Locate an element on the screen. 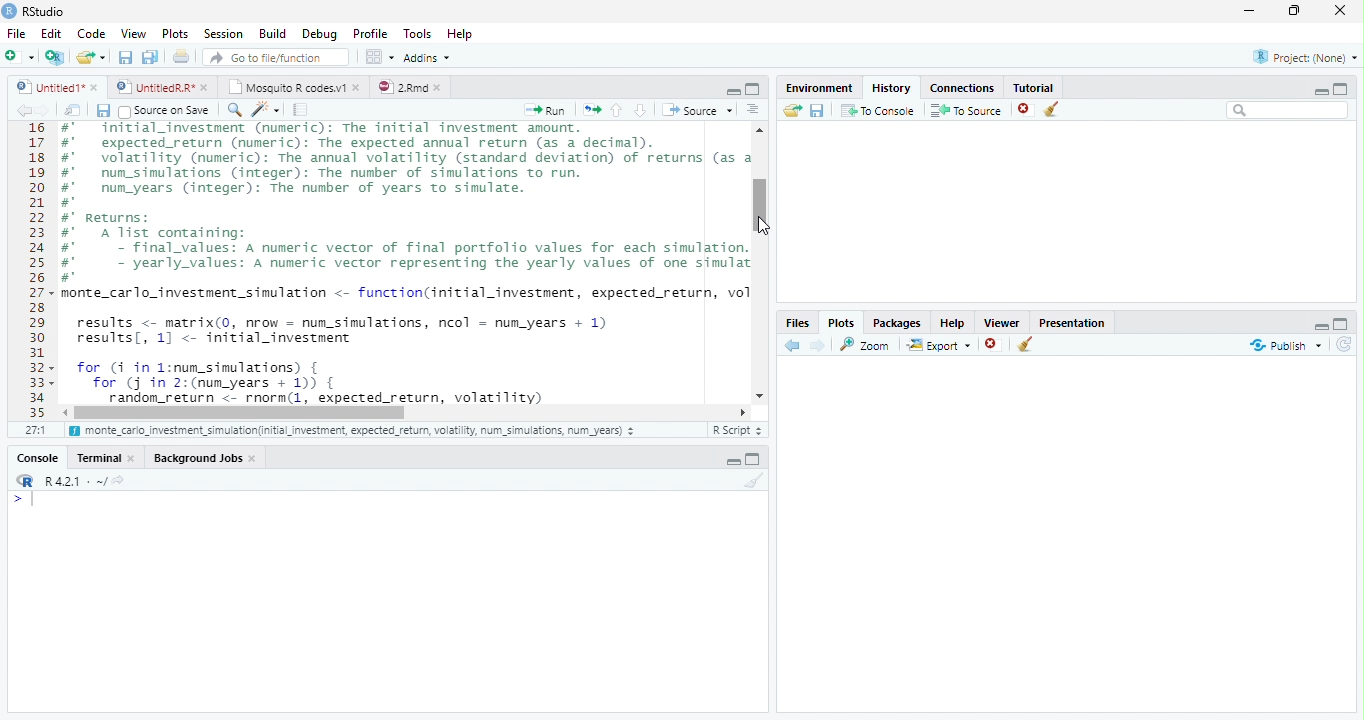  Source is located at coordinates (696, 109).